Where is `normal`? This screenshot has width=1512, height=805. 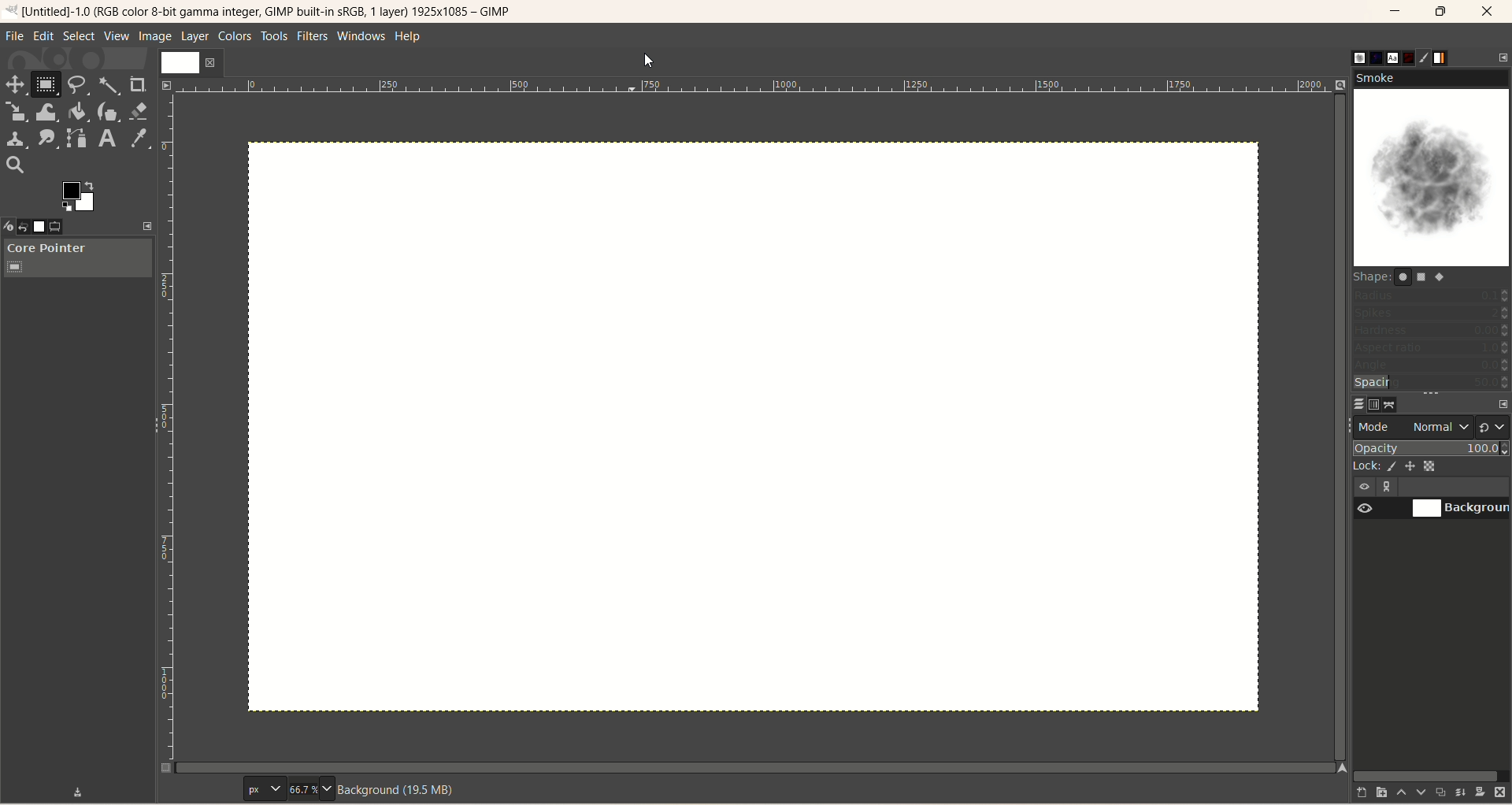
normal is located at coordinates (1439, 427).